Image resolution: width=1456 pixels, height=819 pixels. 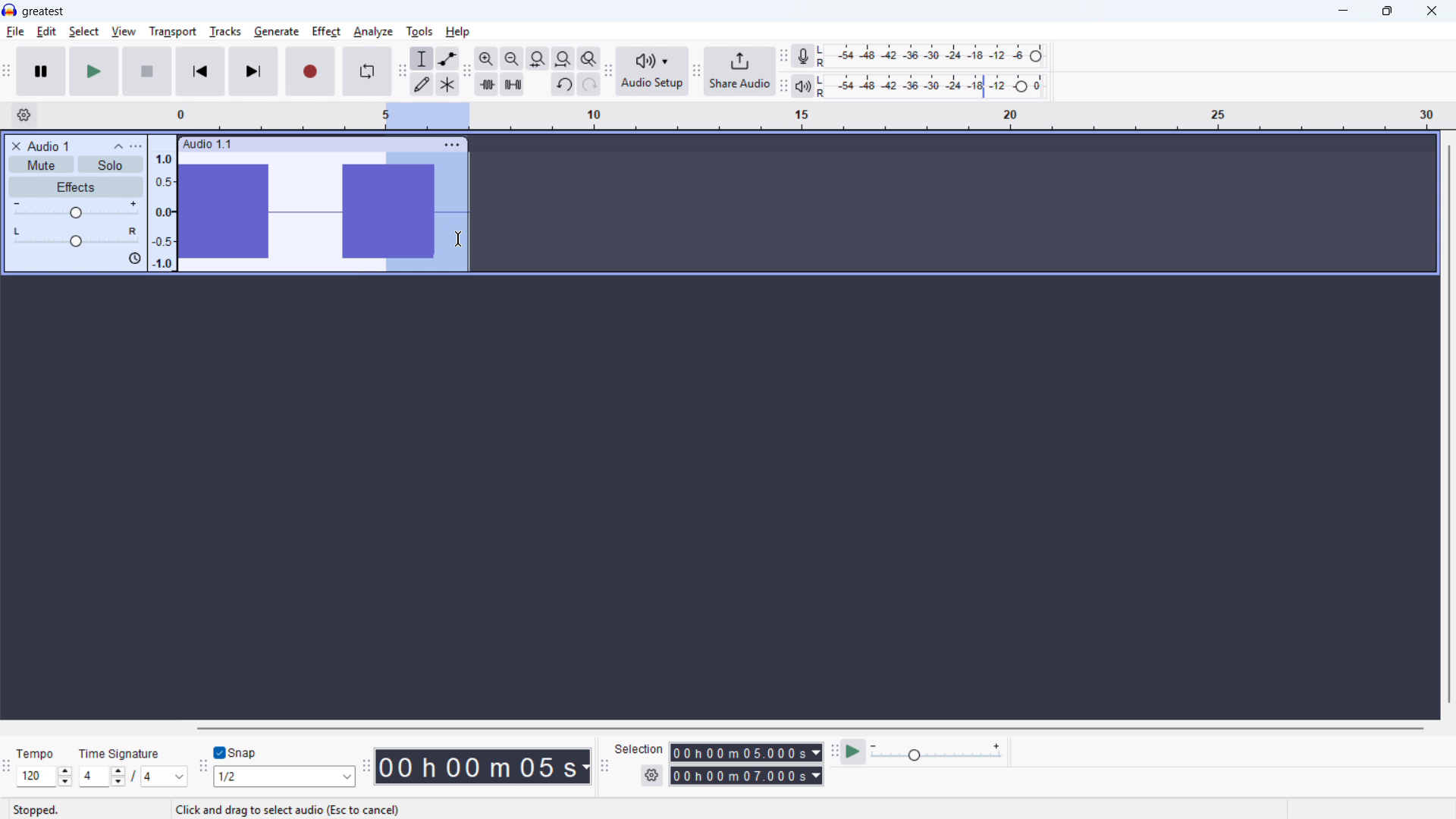 I want to click on Pan: Centre , so click(x=76, y=238).